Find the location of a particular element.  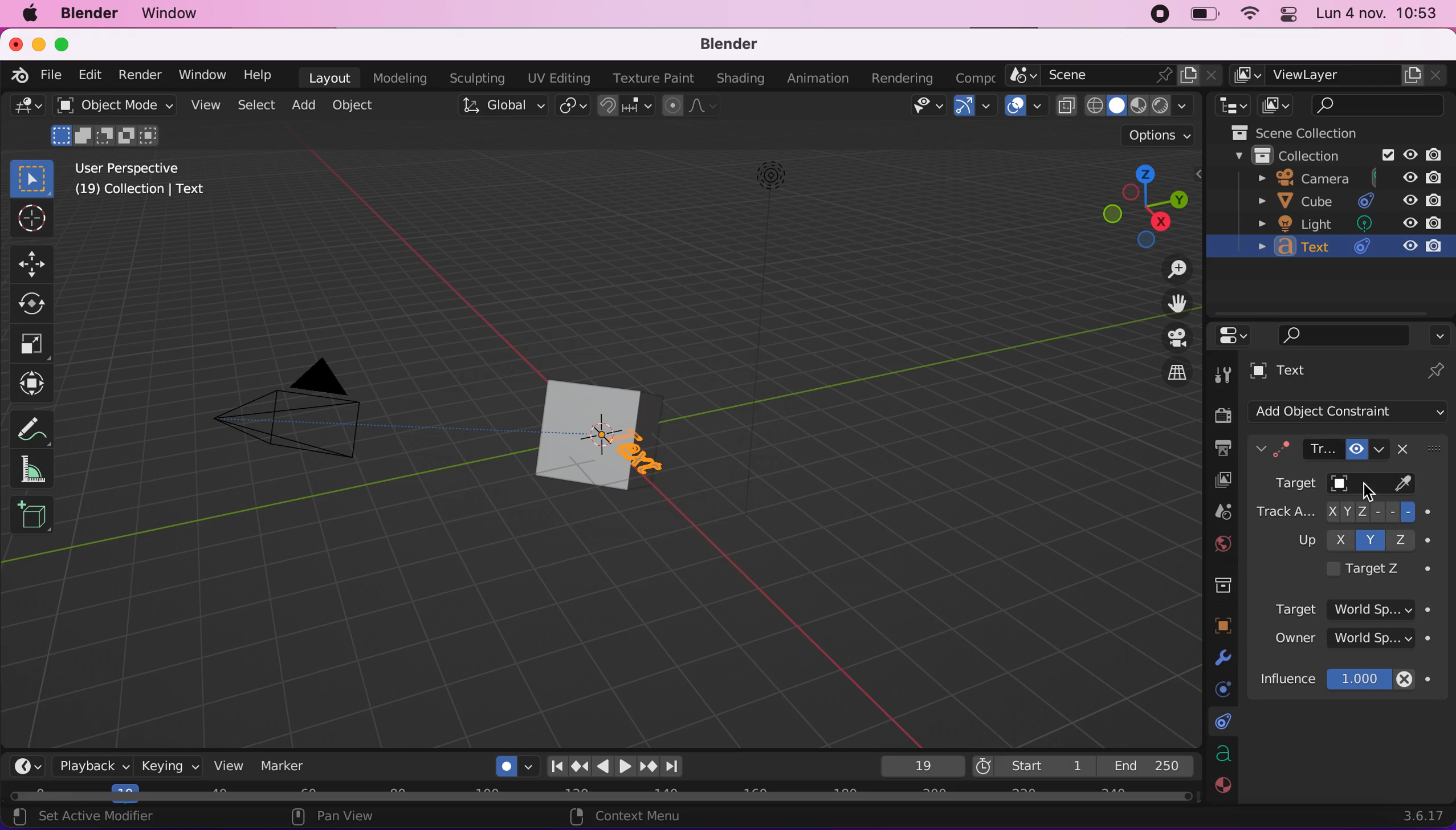

edit is located at coordinates (90, 75).